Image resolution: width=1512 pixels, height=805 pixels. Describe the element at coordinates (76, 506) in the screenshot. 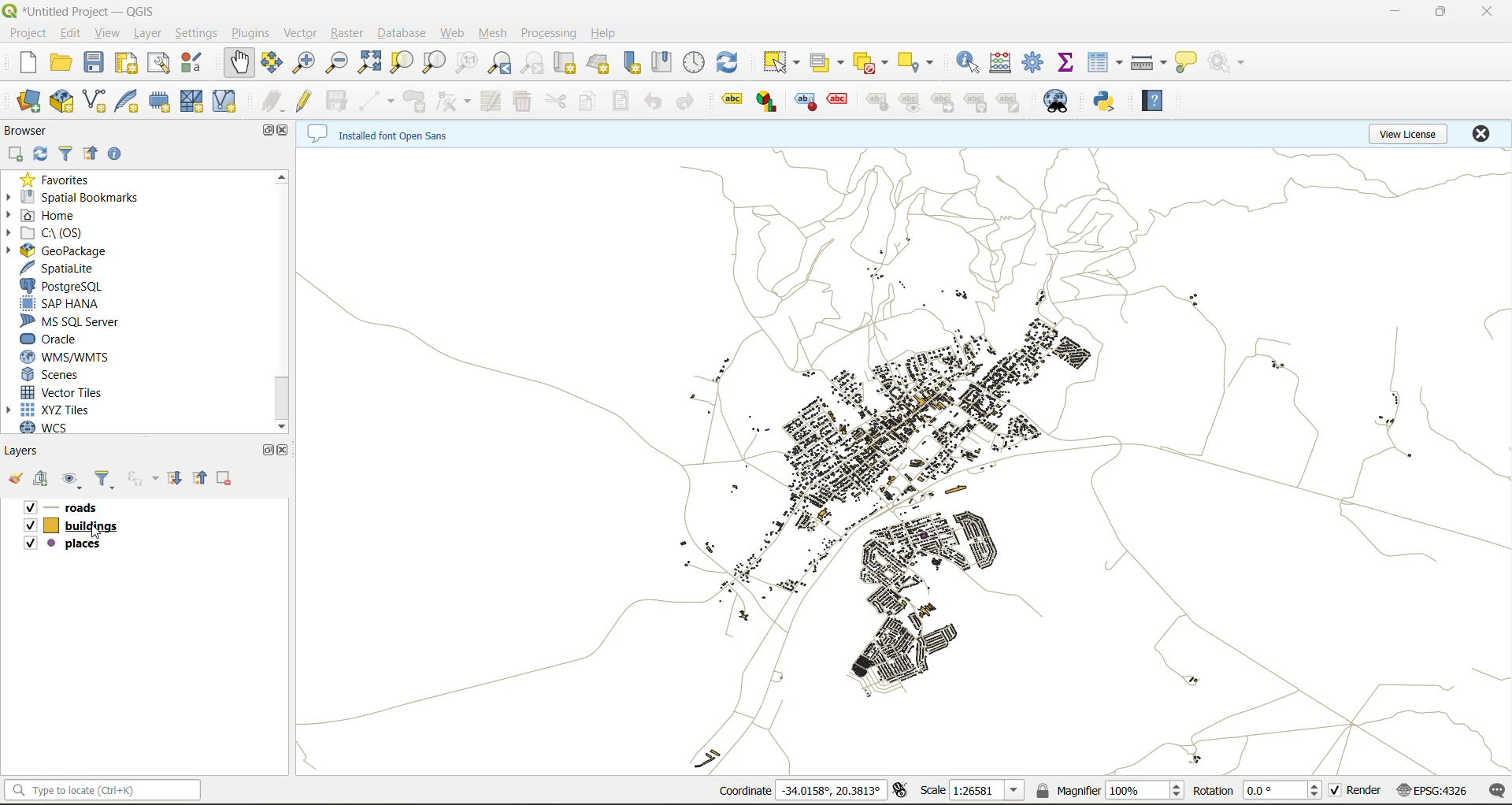

I see `roads layer` at that location.